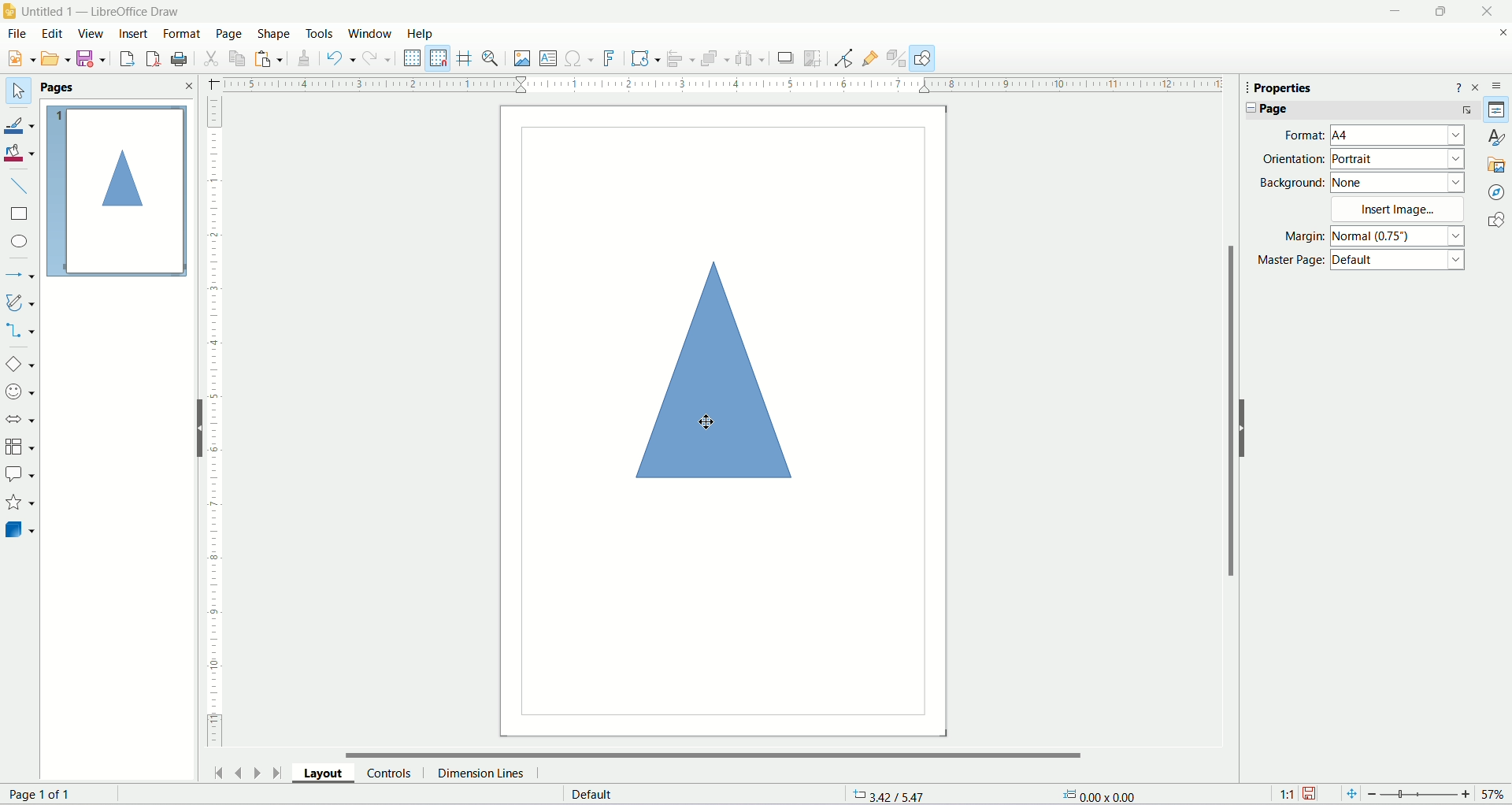 The width and height of the screenshot is (1512, 805). Describe the element at coordinates (1395, 10) in the screenshot. I see `Minimize` at that location.